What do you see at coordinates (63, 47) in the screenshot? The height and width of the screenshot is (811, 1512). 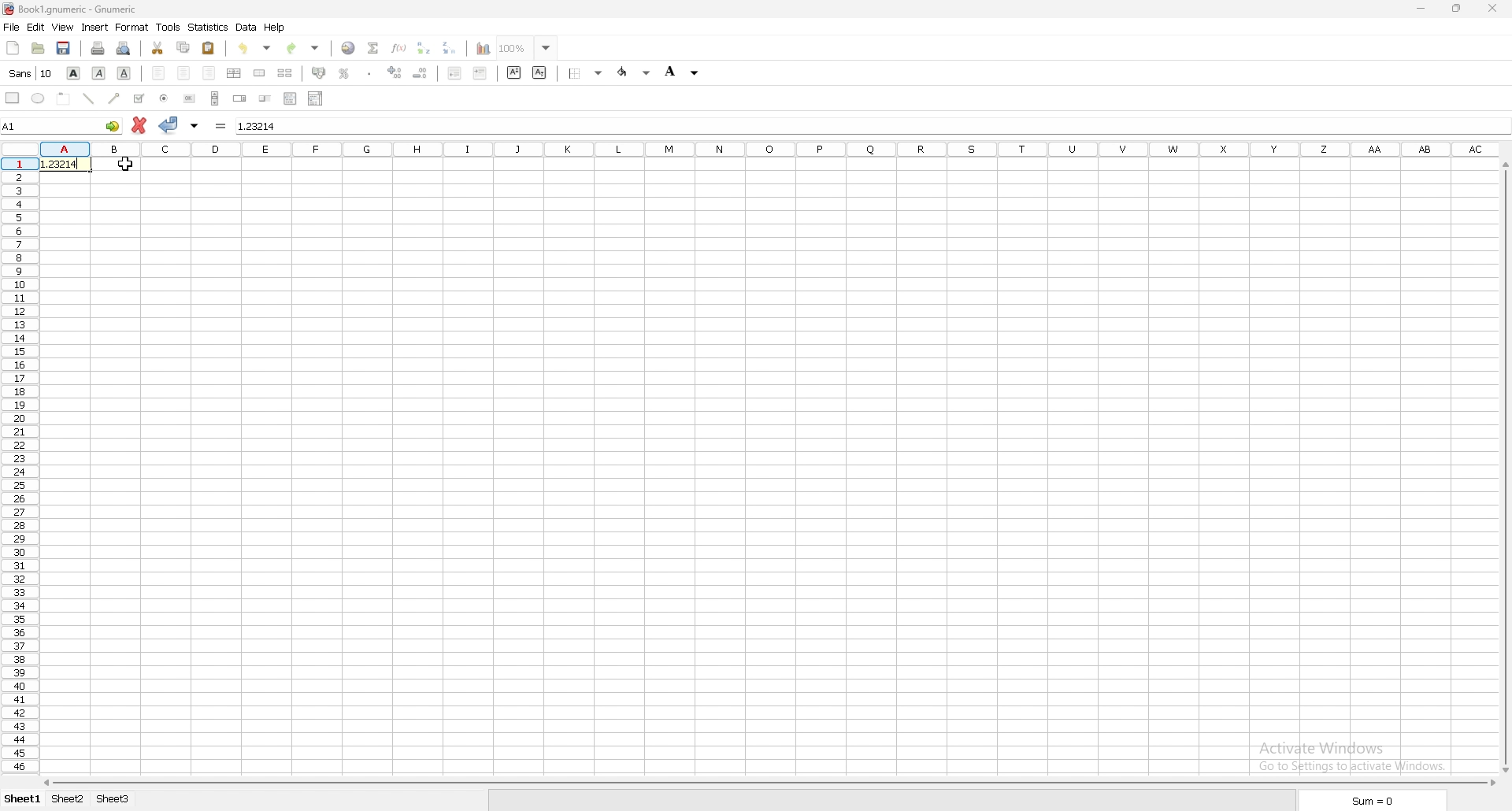 I see `save` at bounding box center [63, 47].